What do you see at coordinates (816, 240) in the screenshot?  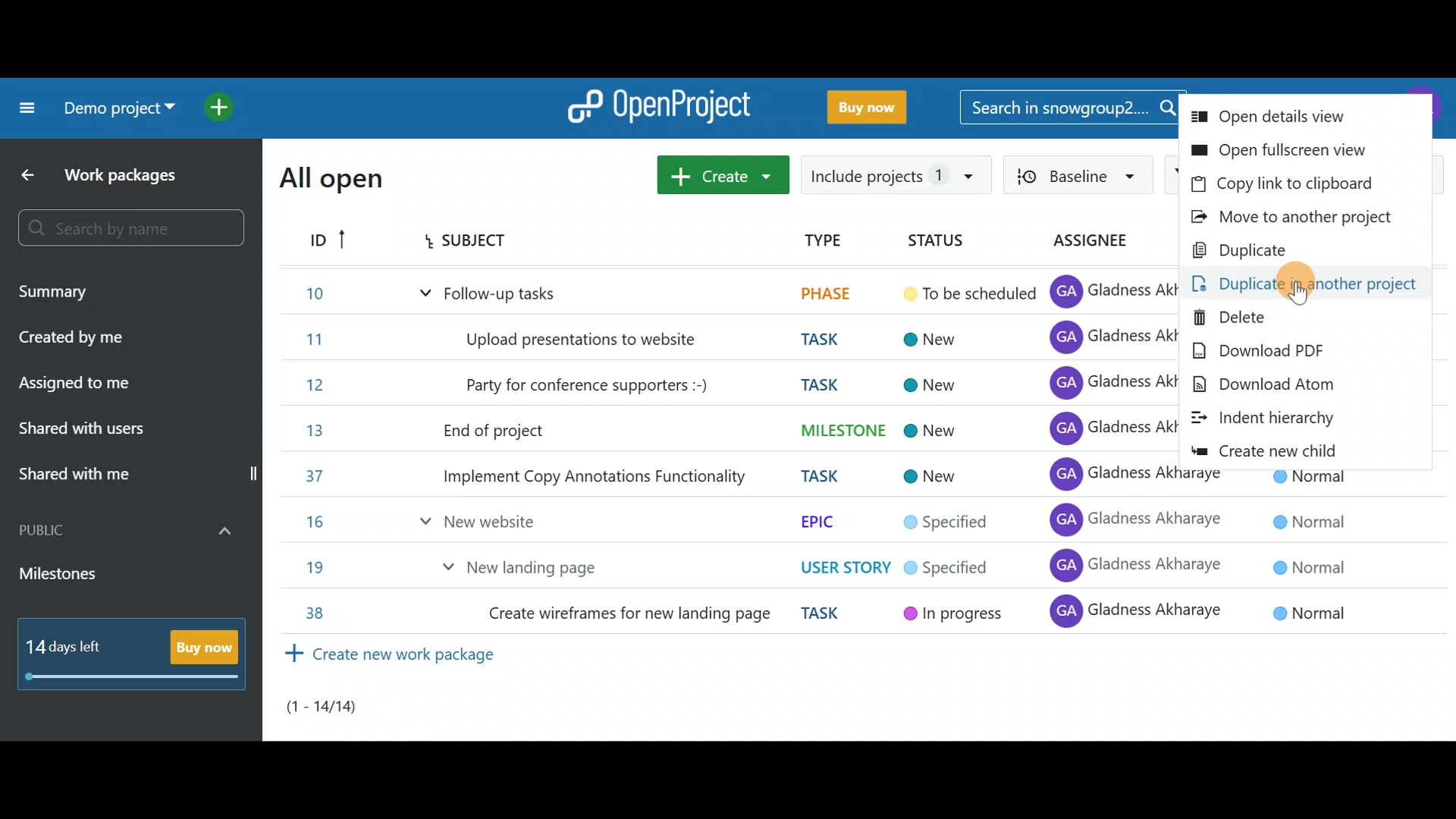 I see `TYPE` at bounding box center [816, 240].